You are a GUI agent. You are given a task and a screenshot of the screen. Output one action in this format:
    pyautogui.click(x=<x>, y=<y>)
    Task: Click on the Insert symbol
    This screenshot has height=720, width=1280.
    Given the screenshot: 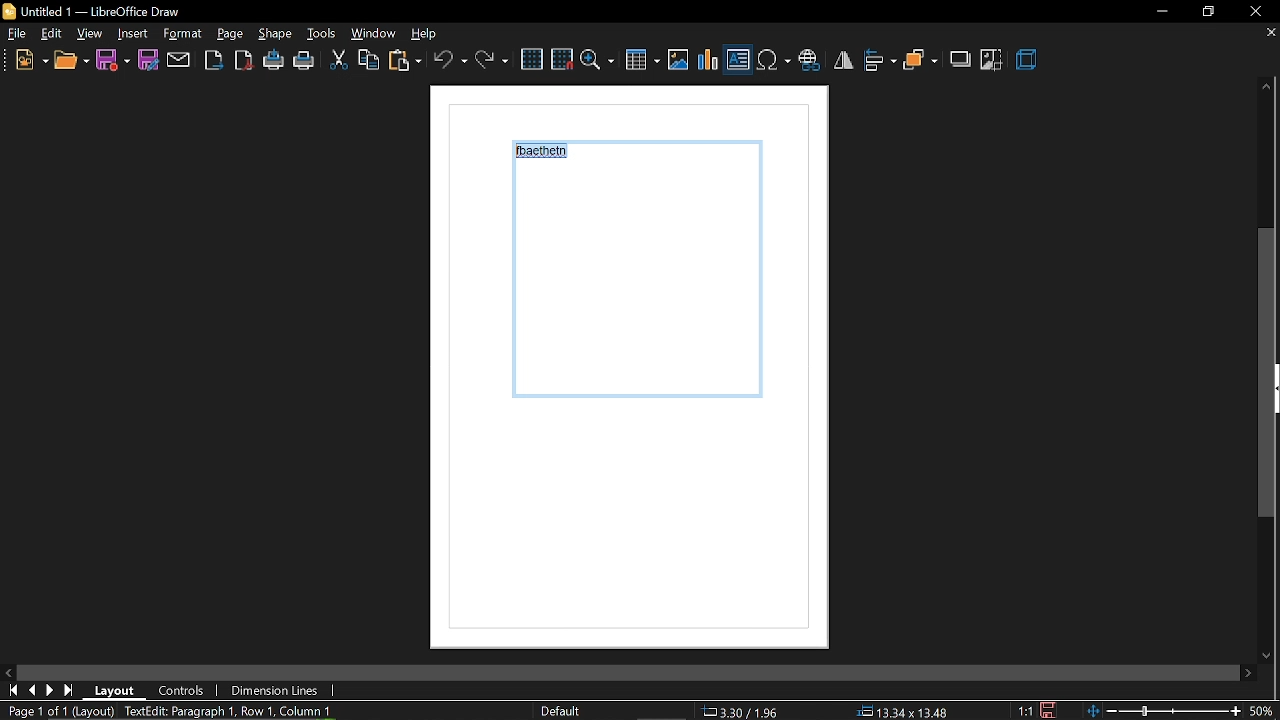 What is the action you would take?
    pyautogui.click(x=773, y=60)
    